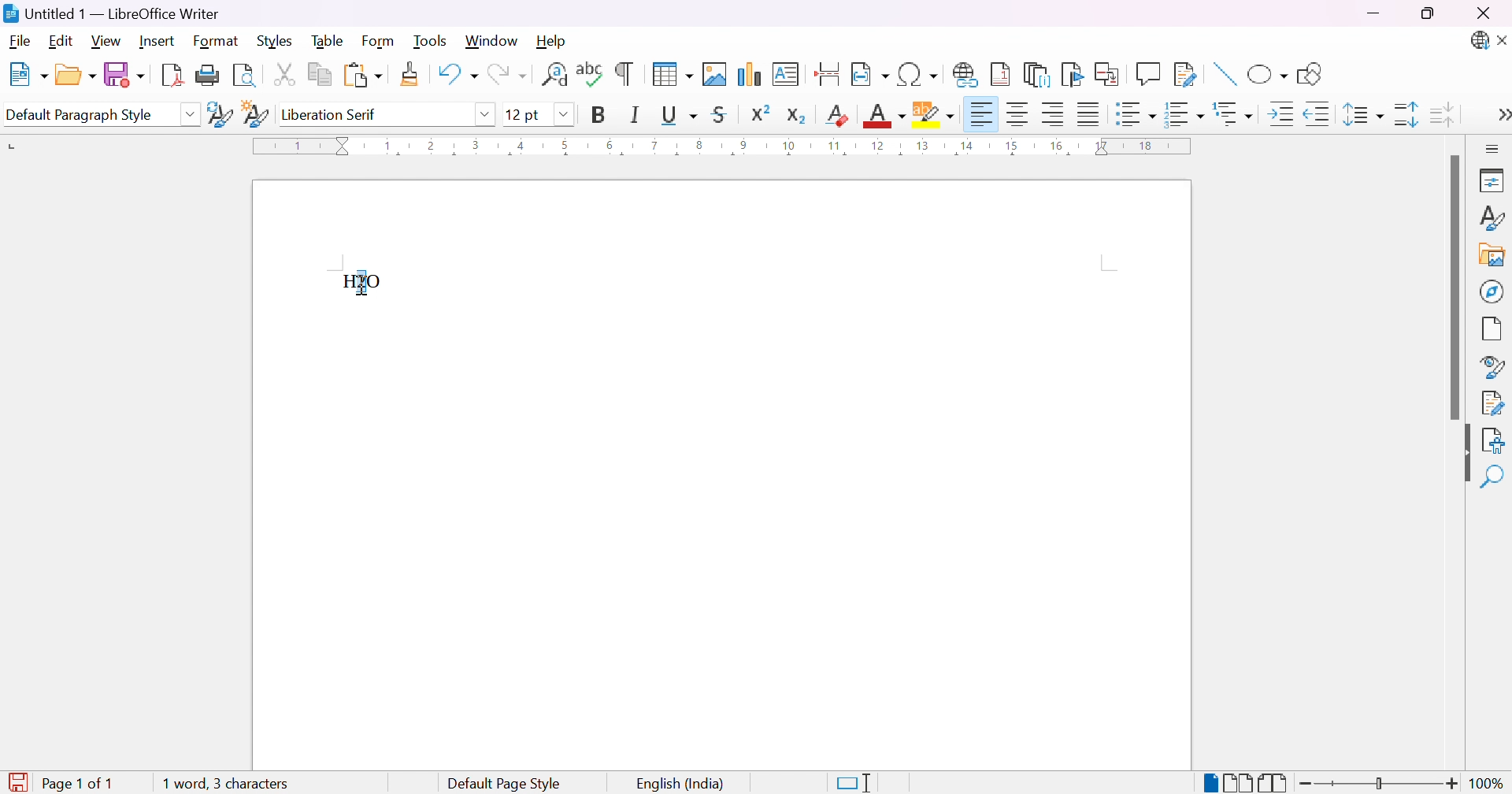 The image size is (1512, 794). What do you see at coordinates (1073, 74) in the screenshot?
I see `Insert bookmark` at bounding box center [1073, 74].